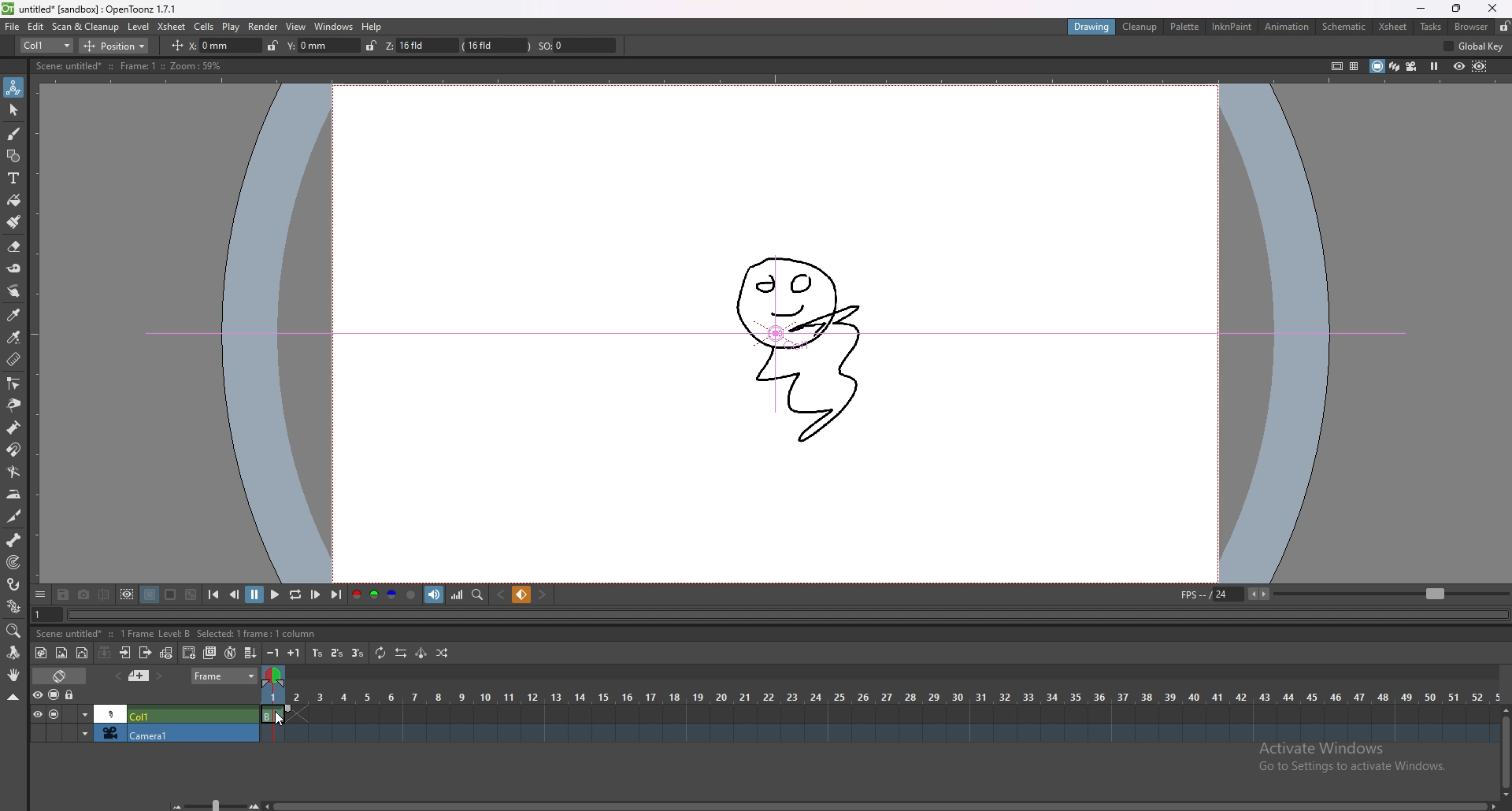  Describe the element at coordinates (15, 562) in the screenshot. I see `target` at that location.